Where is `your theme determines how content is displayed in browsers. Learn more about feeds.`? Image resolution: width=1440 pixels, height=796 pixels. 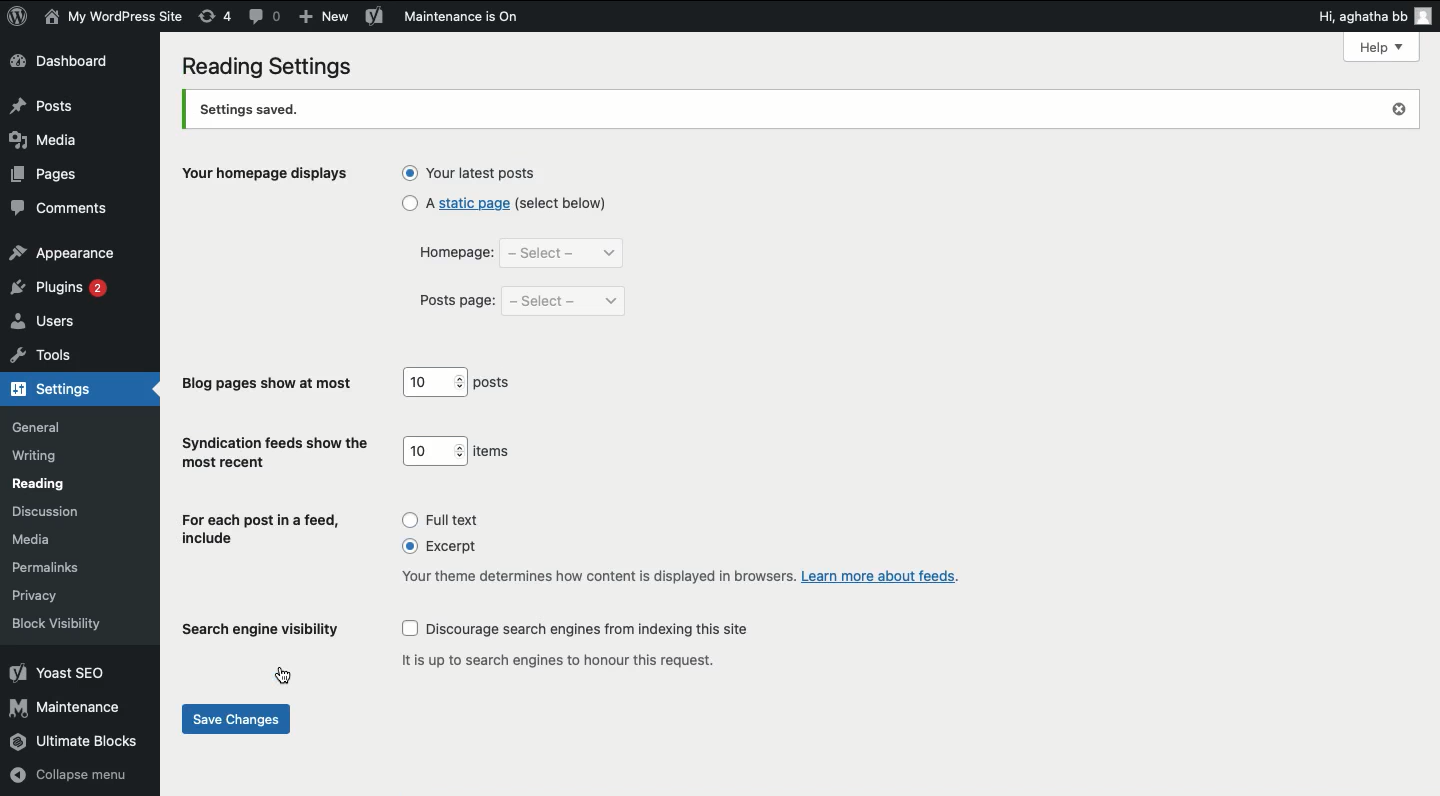 your theme determines how content is displayed in browsers. Learn more about feeds. is located at coordinates (682, 579).